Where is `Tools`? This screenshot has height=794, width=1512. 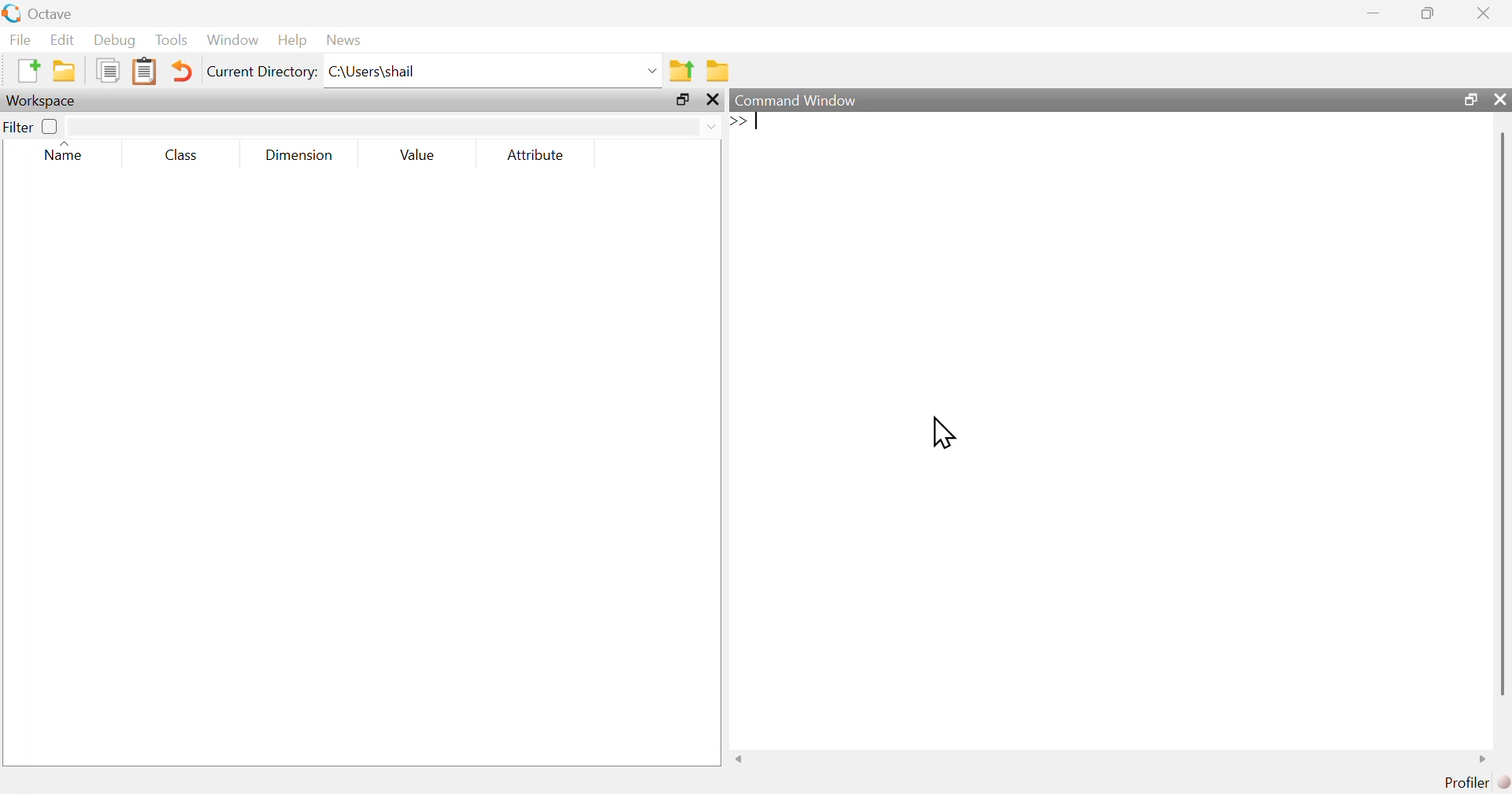 Tools is located at coordinates (172, 39).